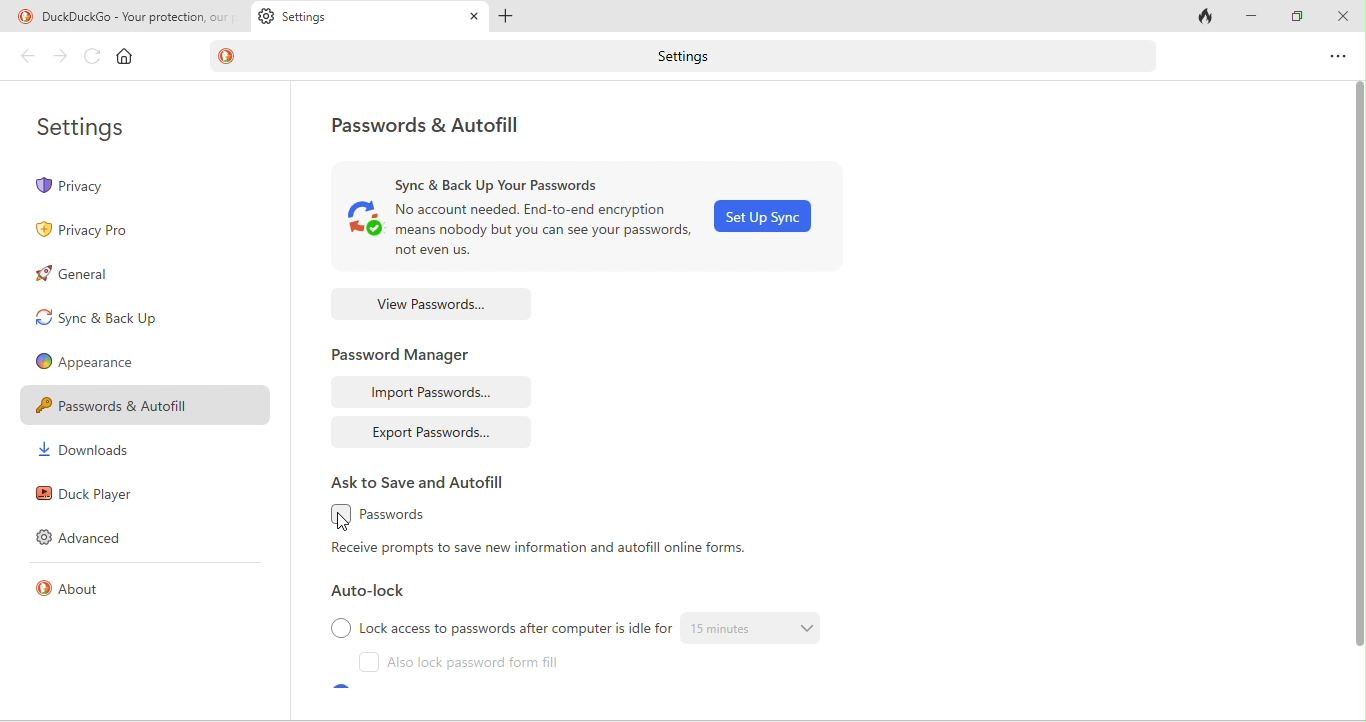  What do you see at coordinates (483, 663) in the screenshot?
I see `also lock password form fill` at bounding box center [483, 663].